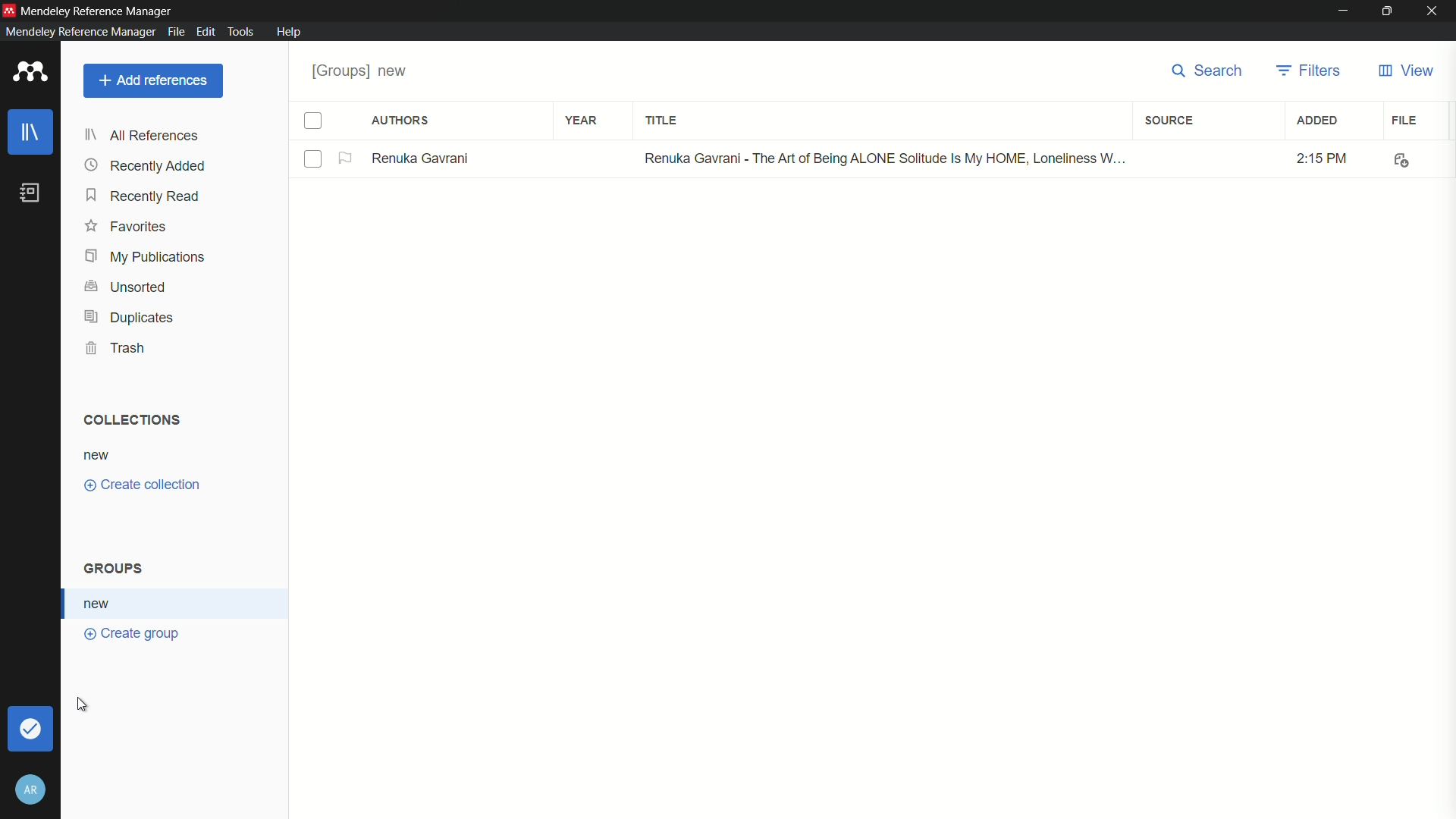  Describe the element at coordinates (1389, 11) in the screenshot. I see `maximize` at that location.